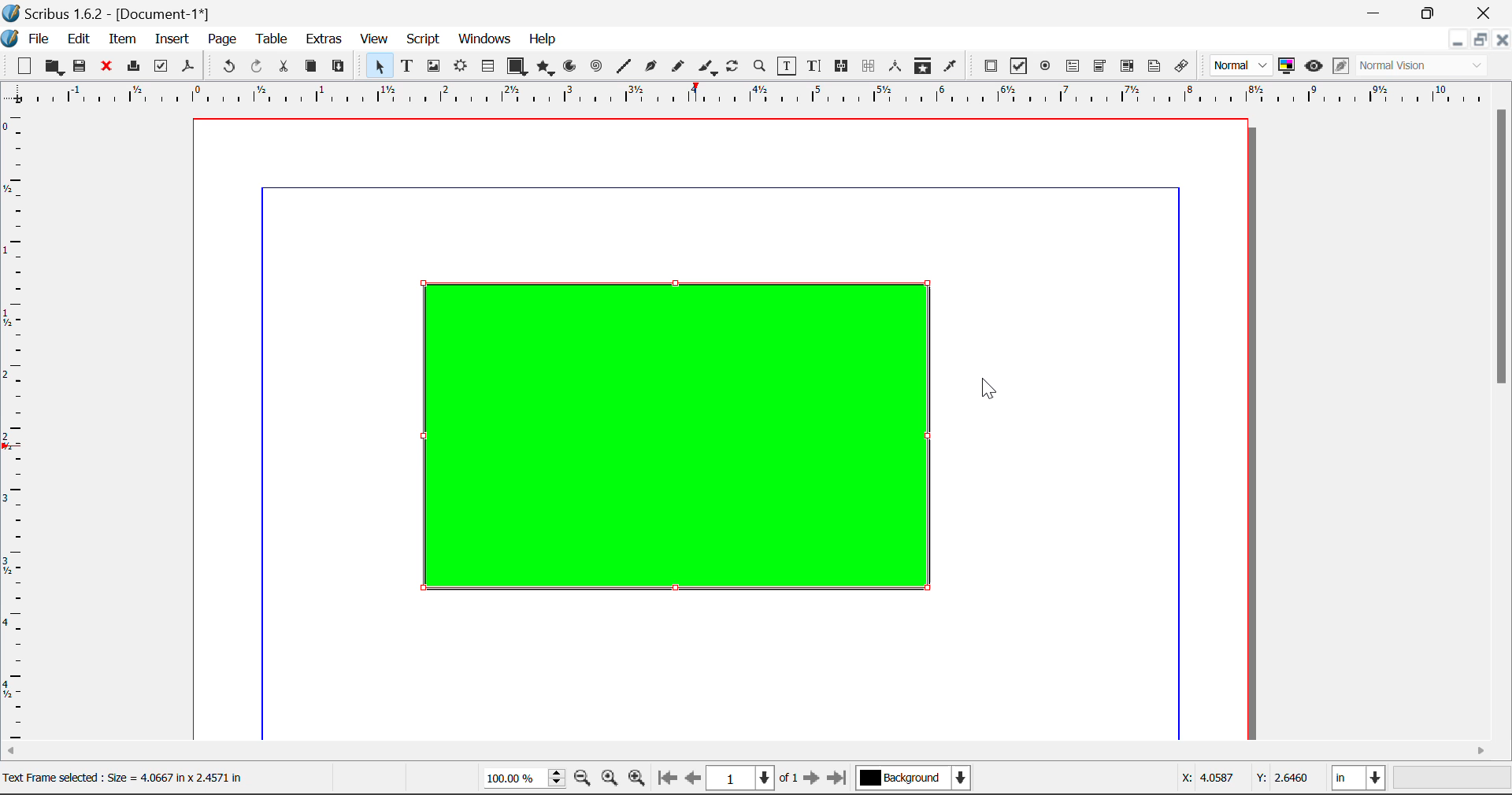  What do you see at coordinates (171, 39) in the screenshot?
I see `Insert` at bounding box center [171, 39].